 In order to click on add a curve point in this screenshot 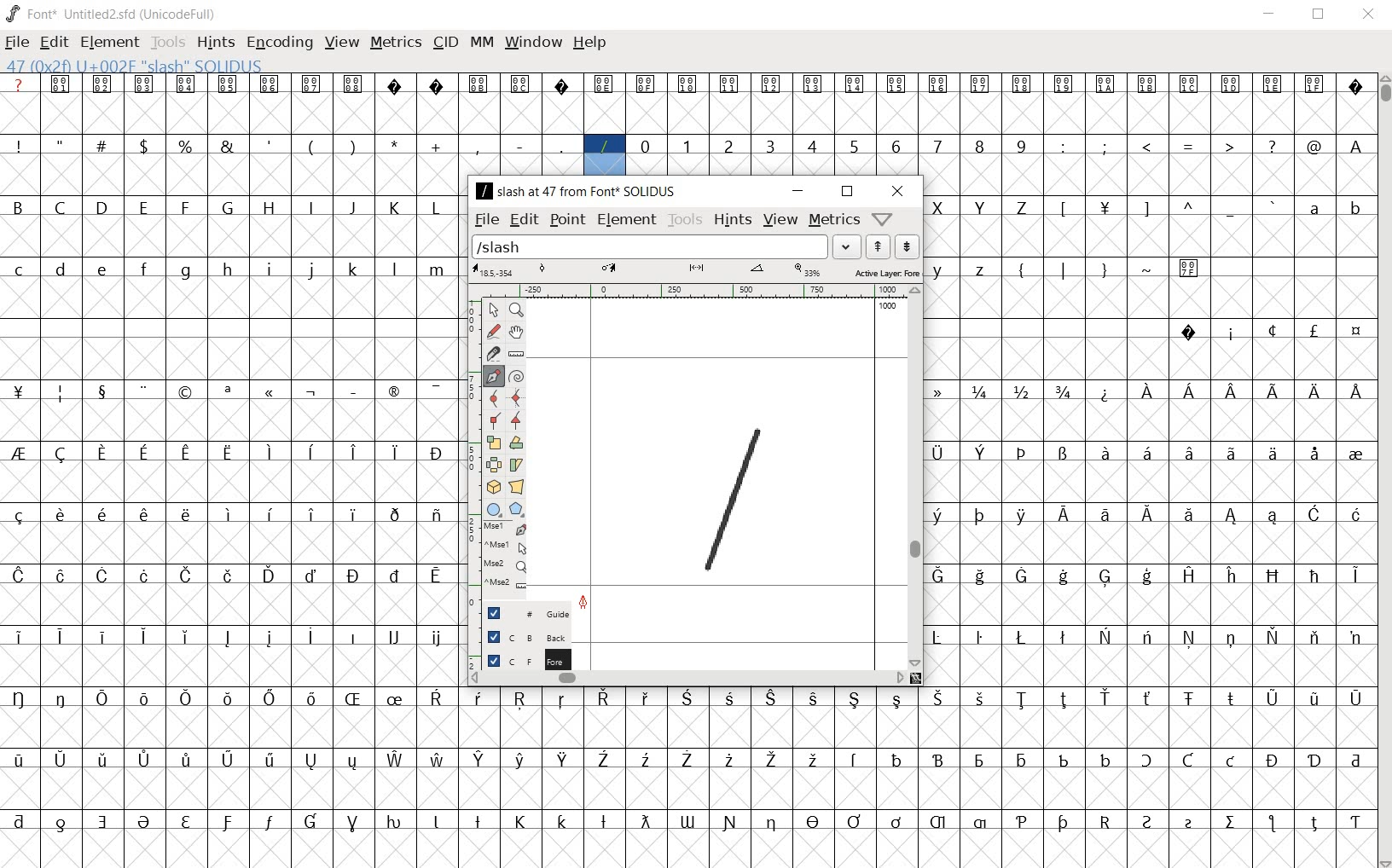, I will do `click(494, 399)`.